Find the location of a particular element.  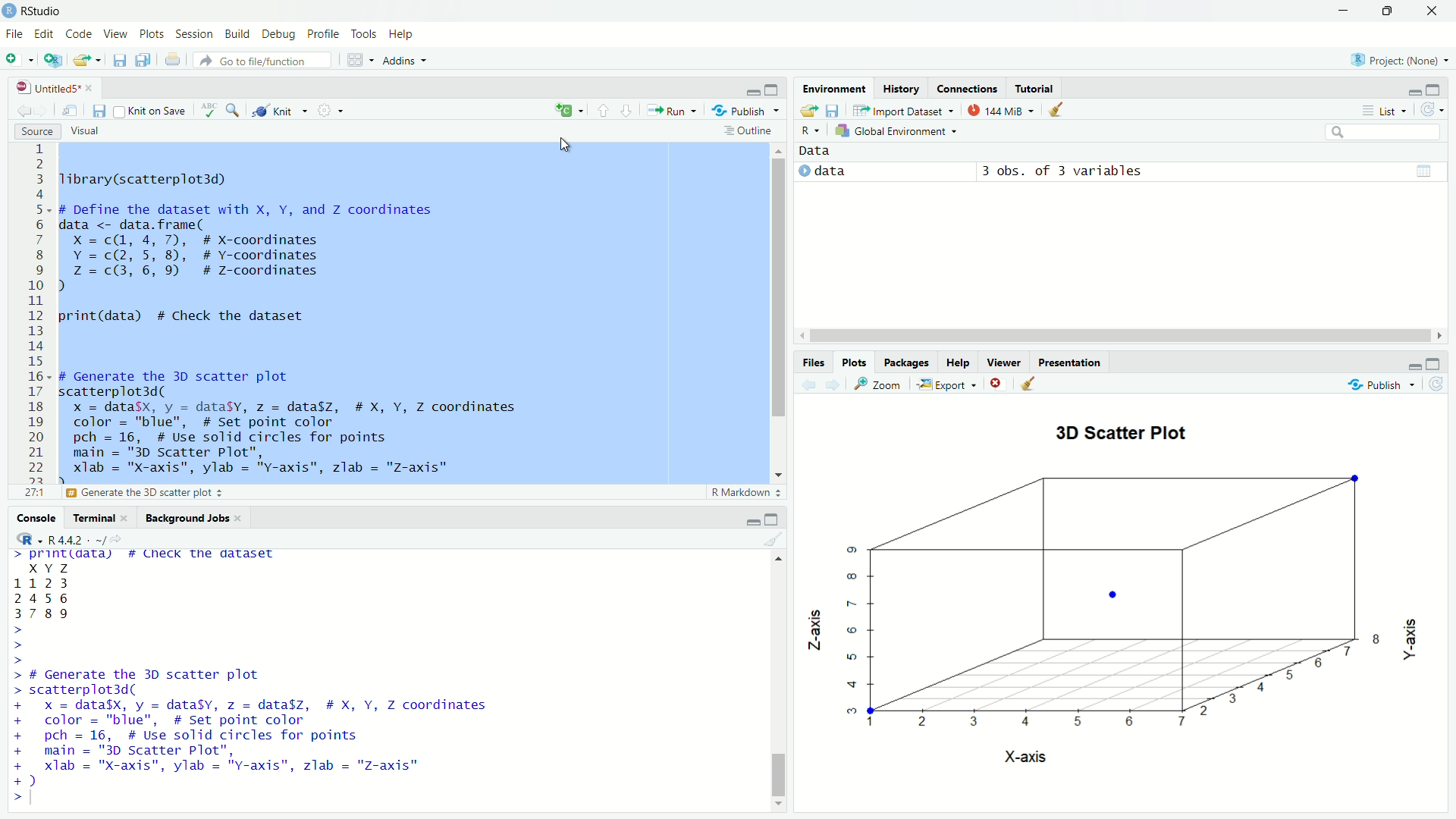

run the current line or selection is located at coordinates (673, 111).